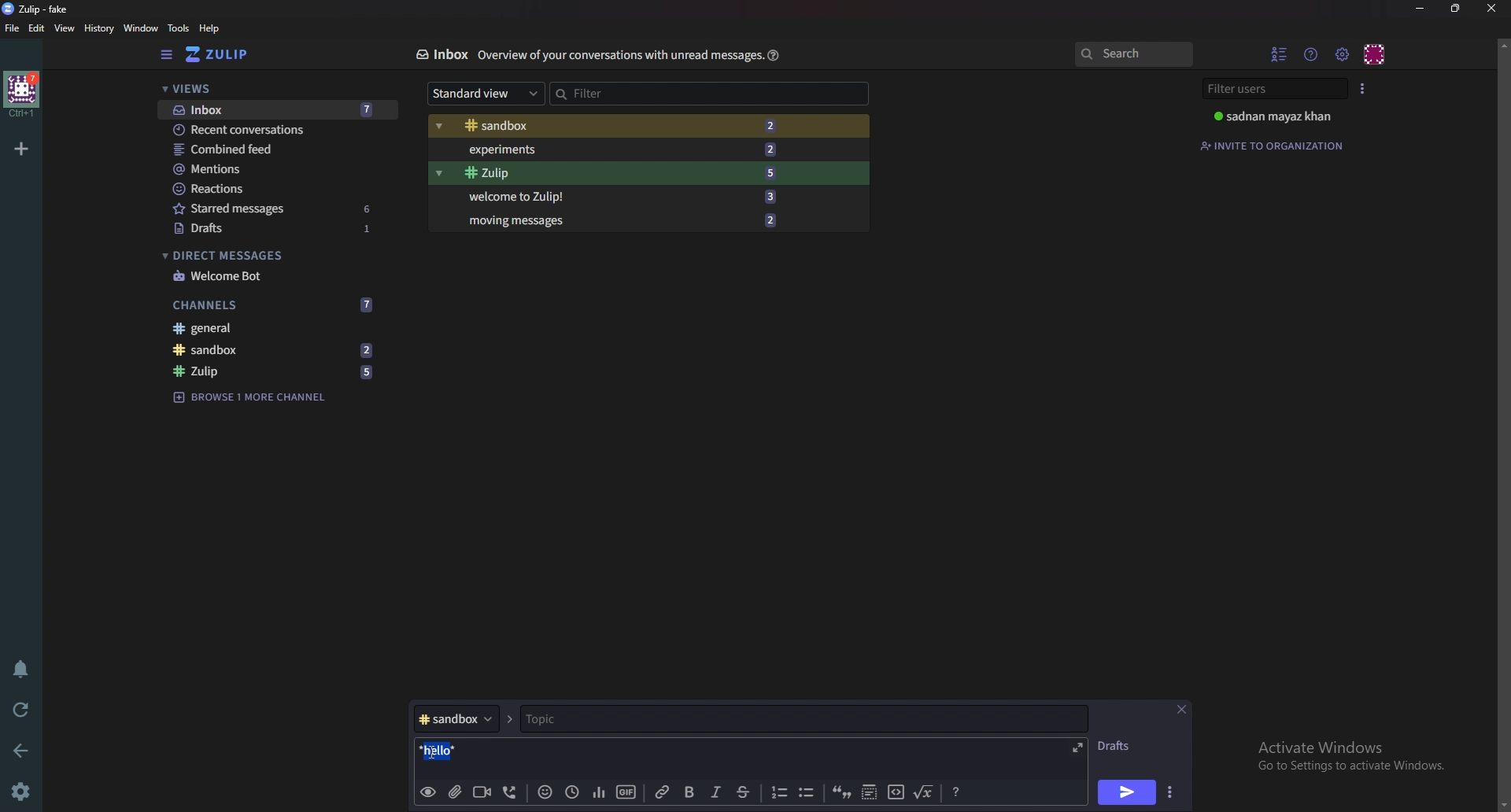 This screenshot has height=812, width=1511. What do you see at coordinates (271, 350) in the screenshot?
I see `# sandbox 2` at bounding box center [271, 350].